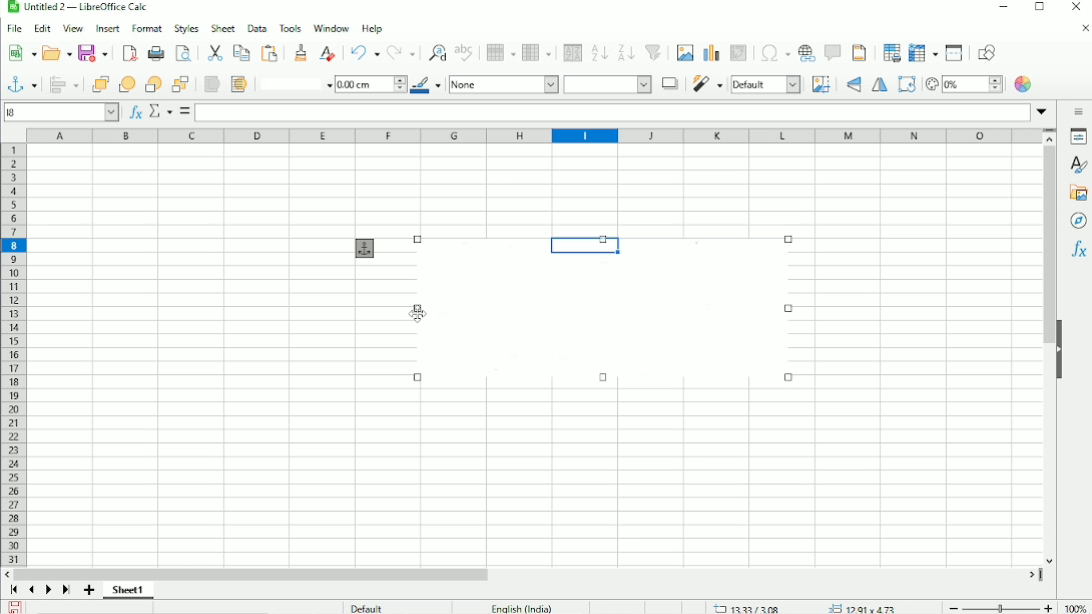 Image resolution: width=1092 pixels, height=614 pixels. What do you see at coordinates (32, 589) in the screenshot?
I see `Scroll to previous sheet` at bounding box center [32, 589].